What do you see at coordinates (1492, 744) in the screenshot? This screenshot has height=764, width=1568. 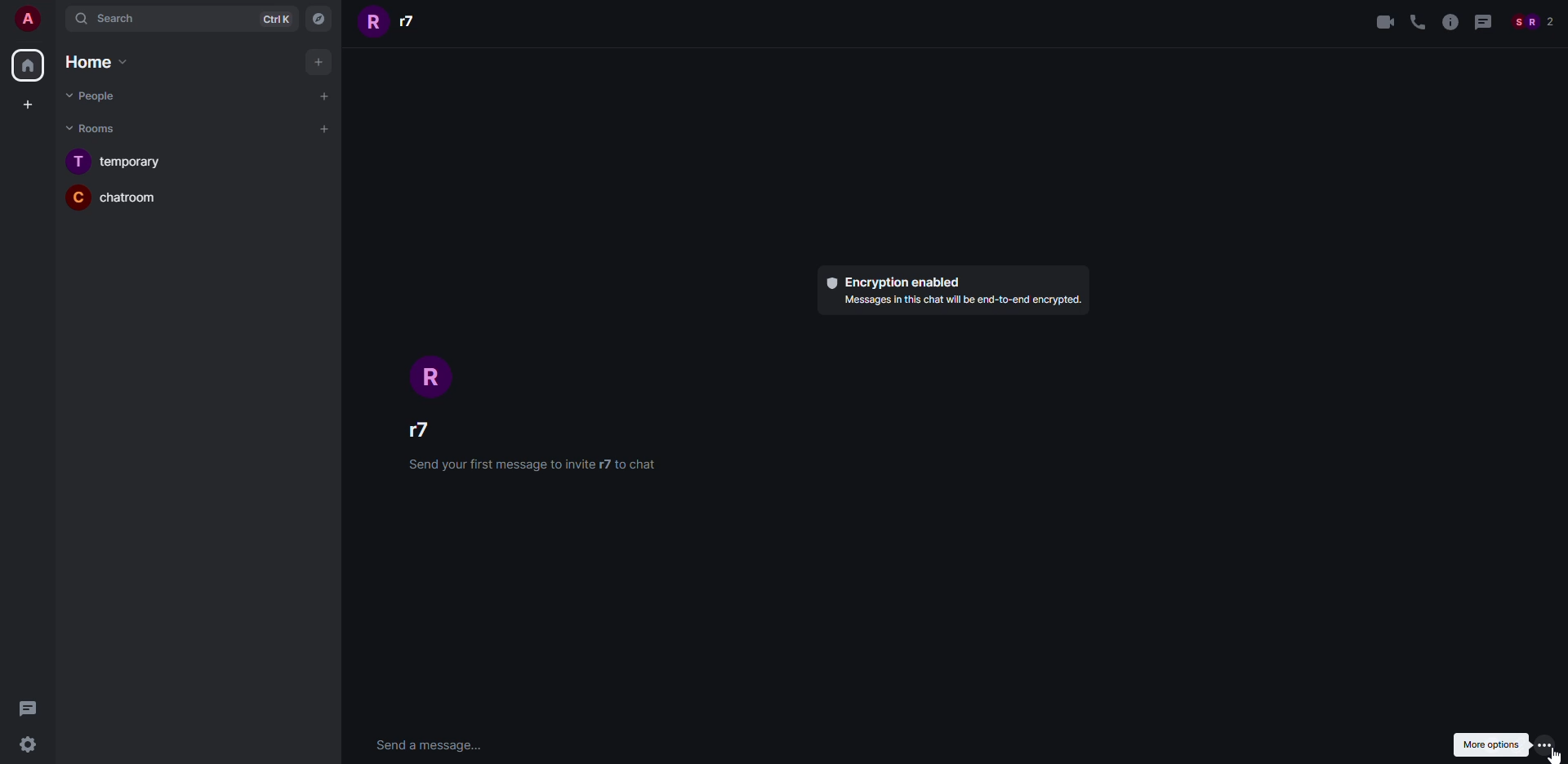 I see `More Options` at bounding box center [1492, 744].